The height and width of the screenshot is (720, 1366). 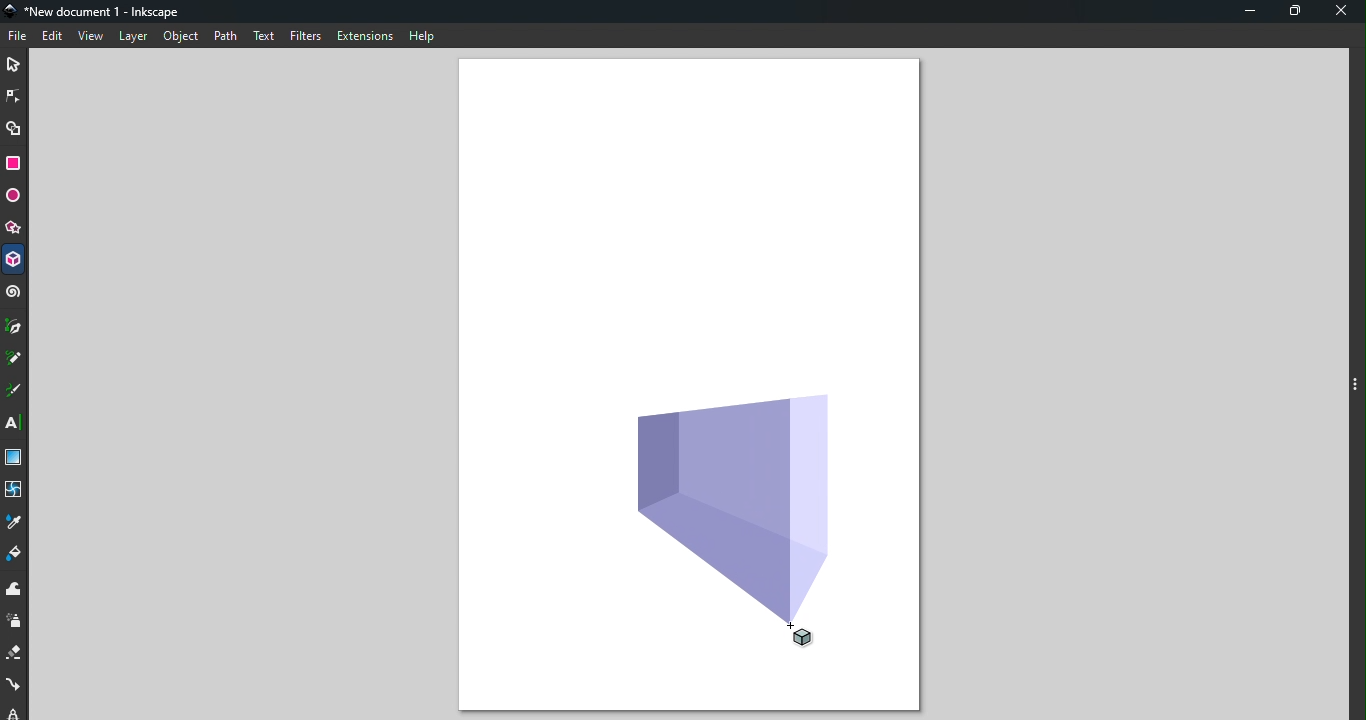 What do you see at coordinates (15, 624) in the screenshot?
I see `Spray tool` at bounding box center [15, 624].